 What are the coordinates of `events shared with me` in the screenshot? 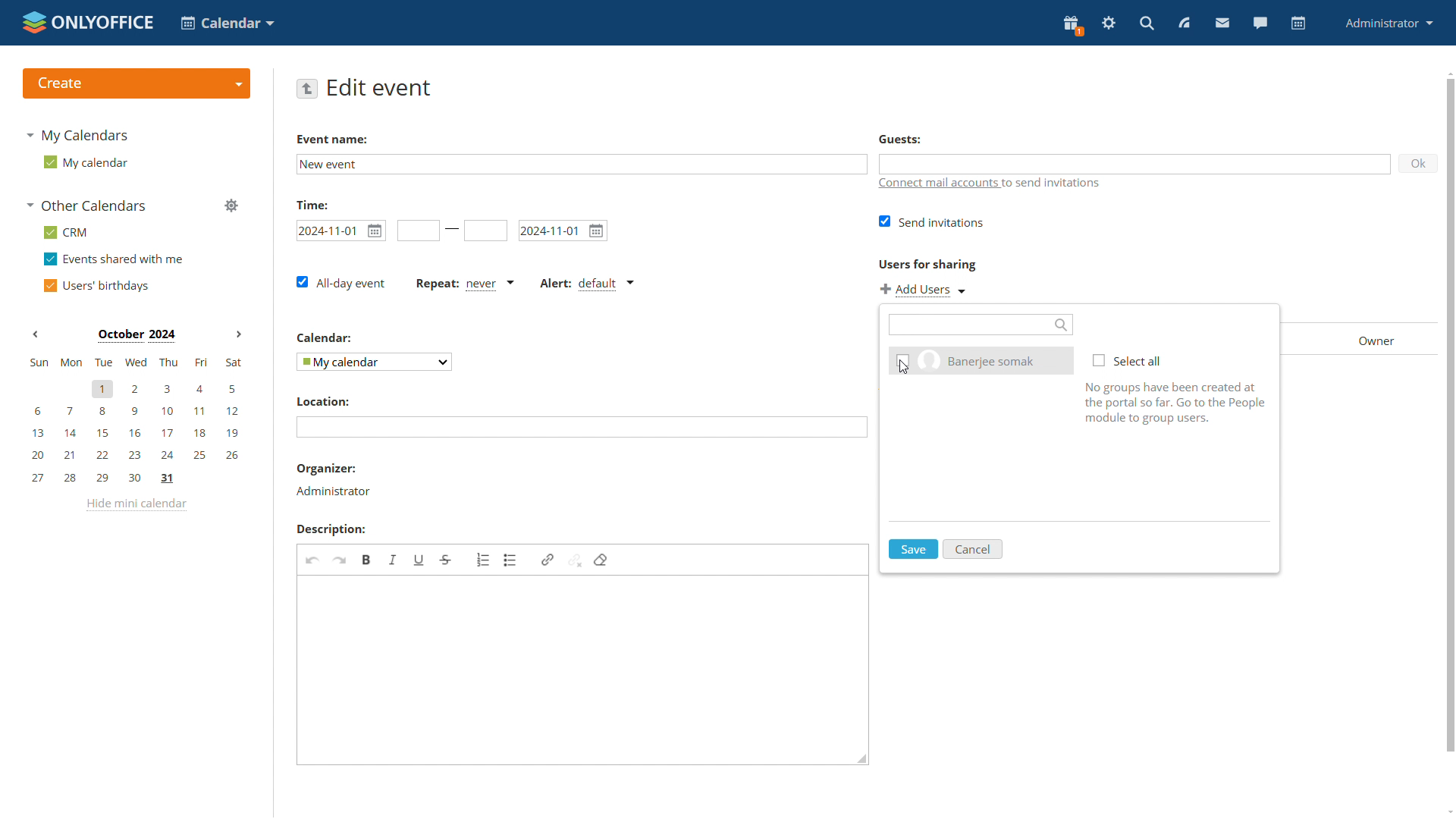 It's located at (116, 260).